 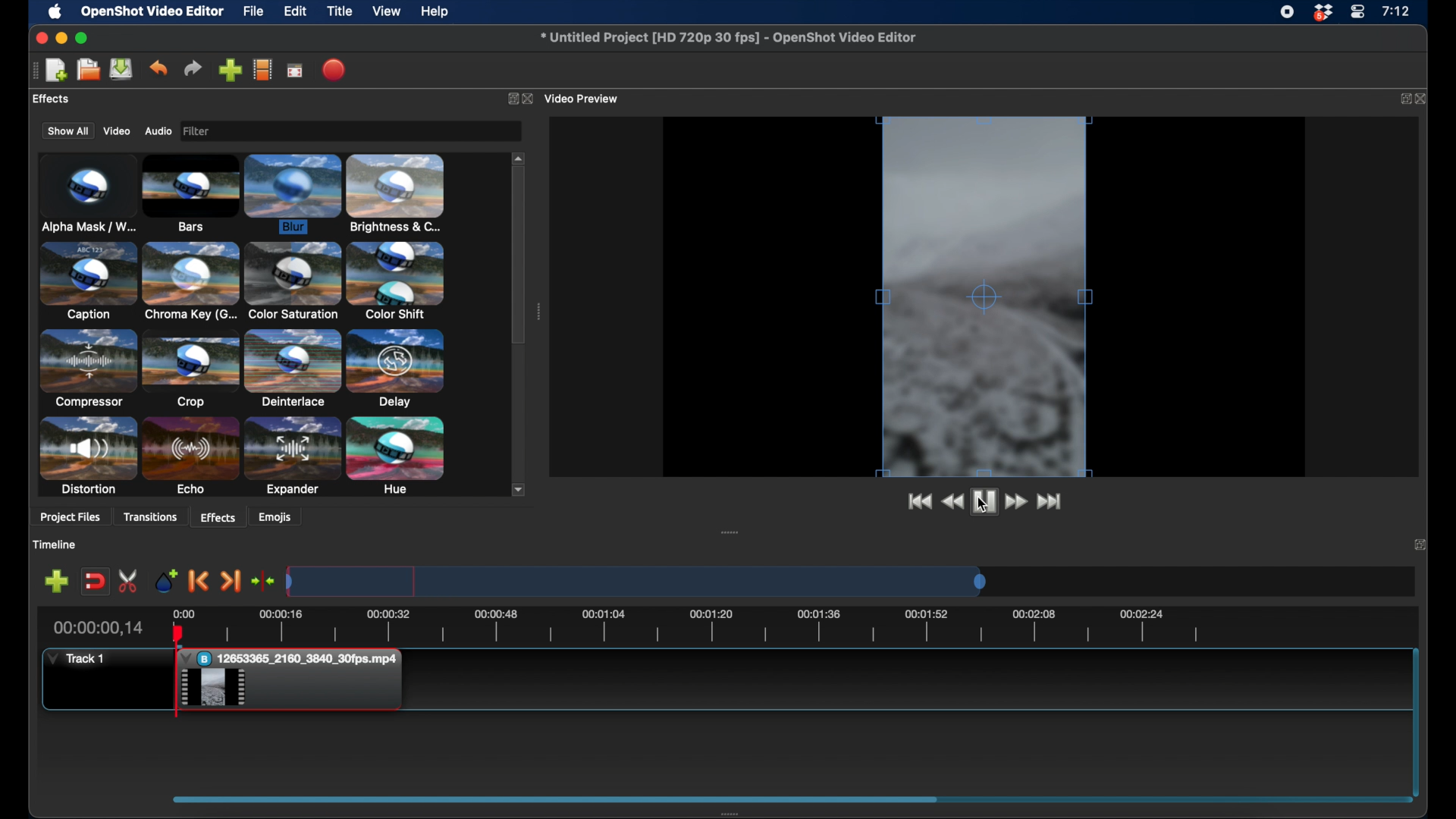 What do you see at coordinates (115, 131) in the screenshot?
I see `video` at bounding box center [115, 131].